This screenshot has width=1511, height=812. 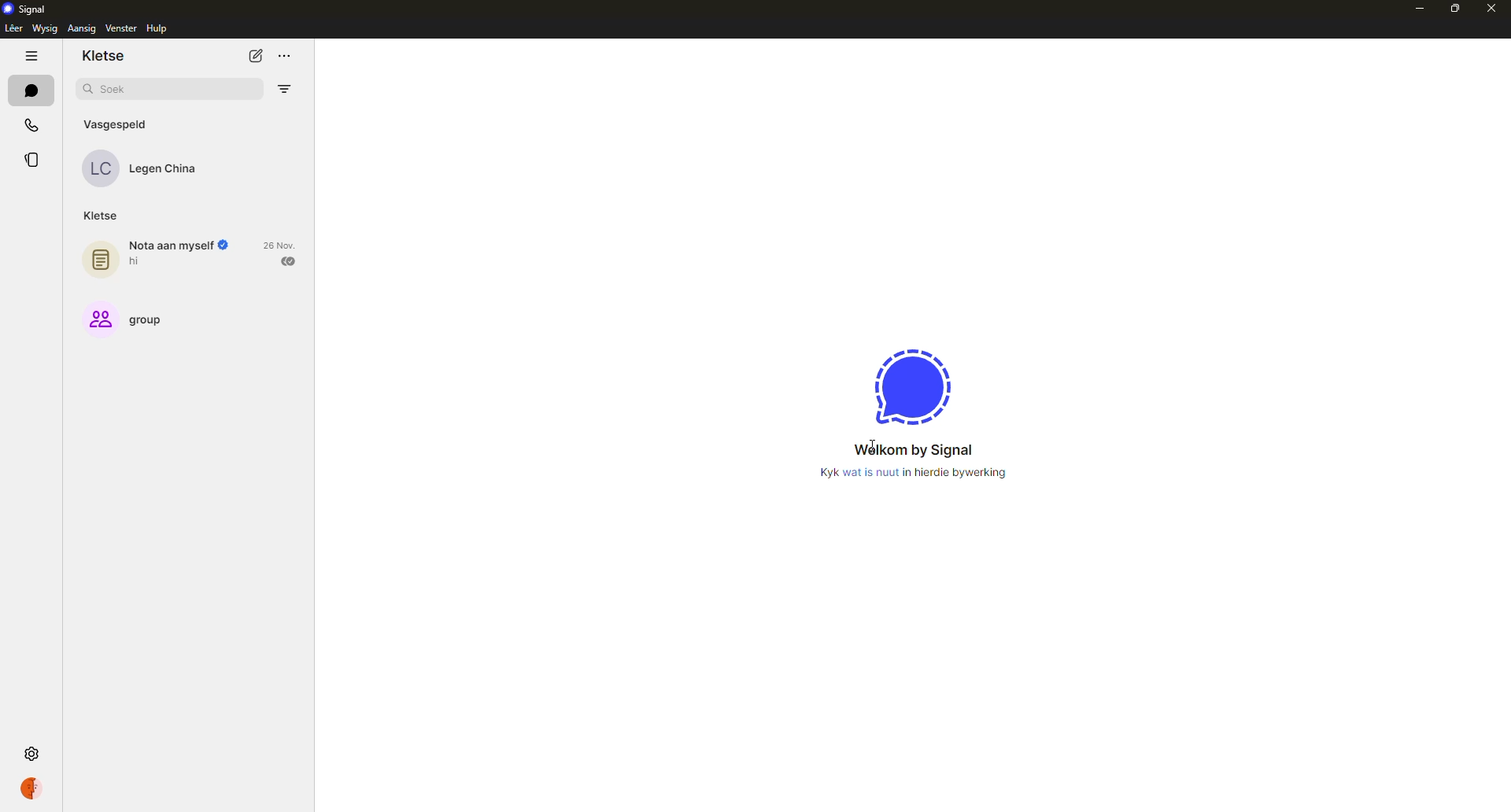 I want to click on venster, so click(x=122, y=28).